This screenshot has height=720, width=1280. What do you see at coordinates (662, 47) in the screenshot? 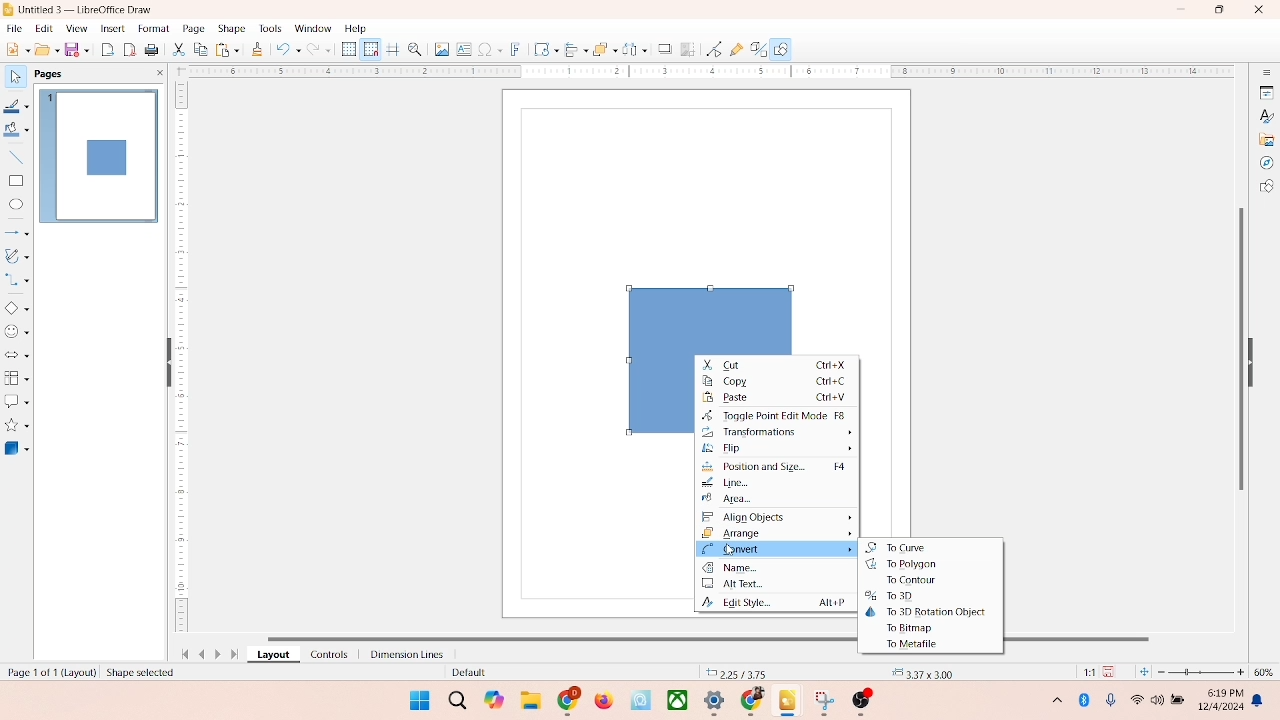
I see `shadow` at bounding box center [662, 47].